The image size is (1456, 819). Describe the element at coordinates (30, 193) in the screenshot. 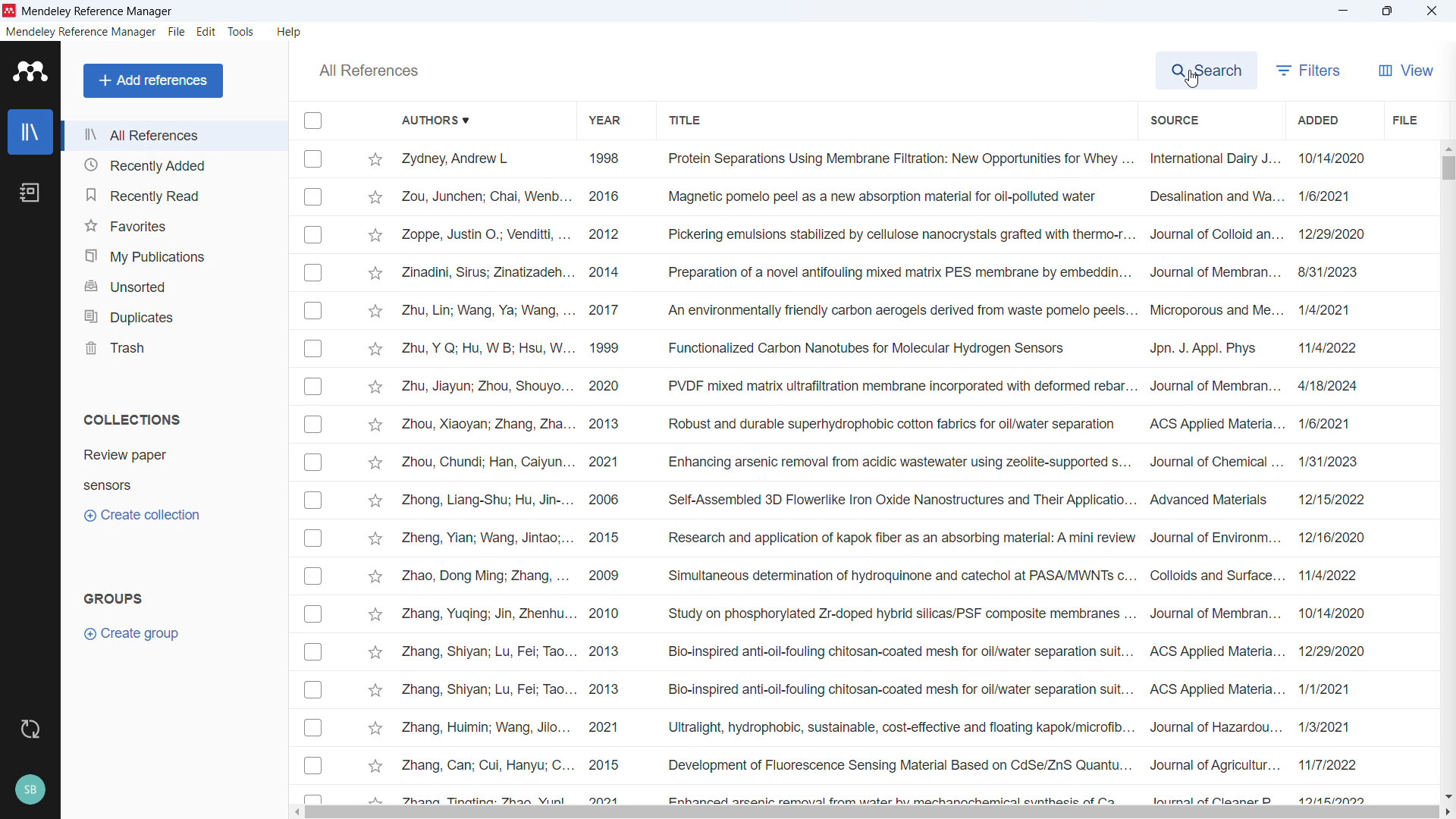

I see `notebook` at that location.